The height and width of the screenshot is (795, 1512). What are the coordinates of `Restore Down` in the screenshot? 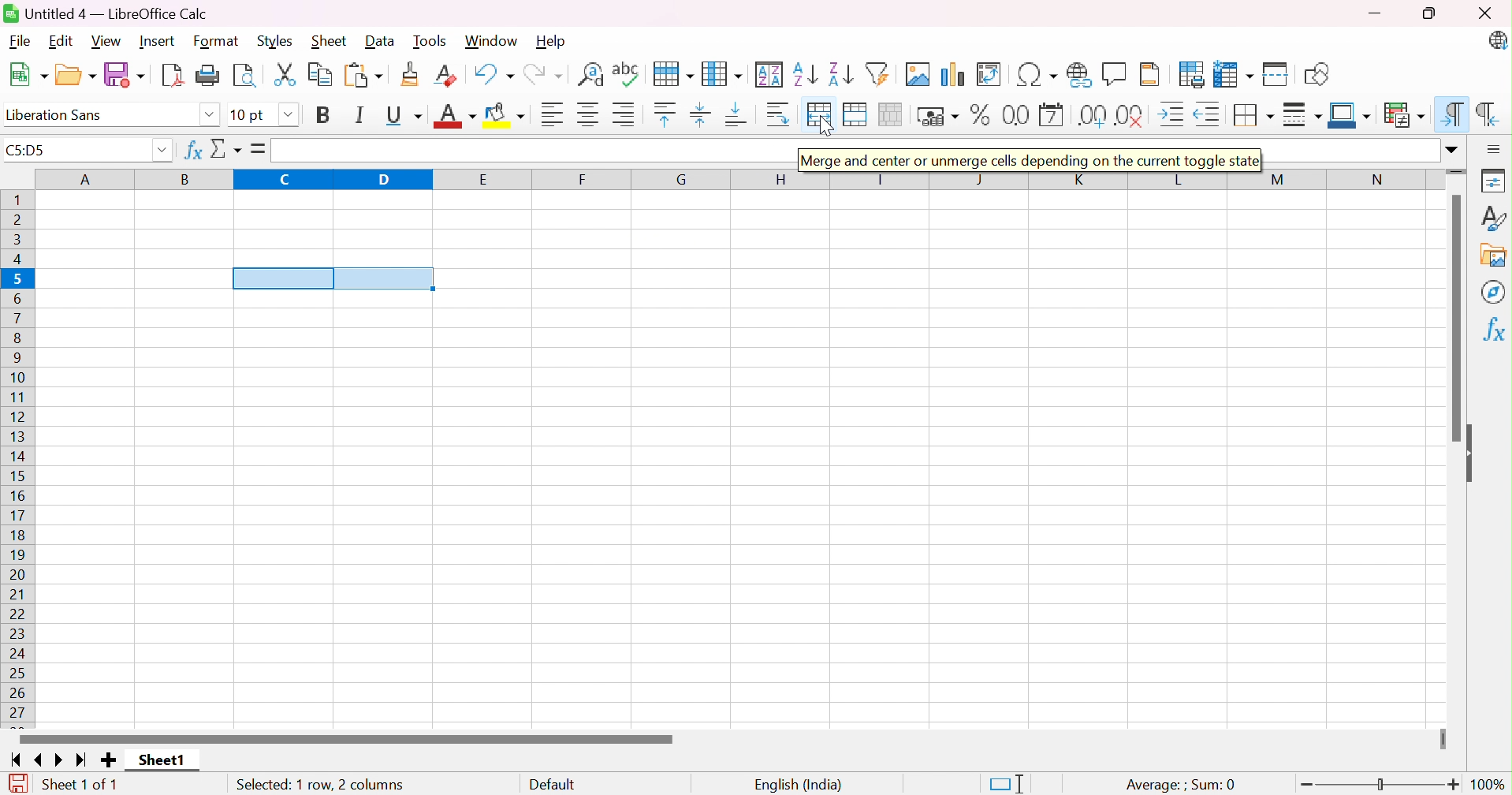 It's located at (1430, 13).